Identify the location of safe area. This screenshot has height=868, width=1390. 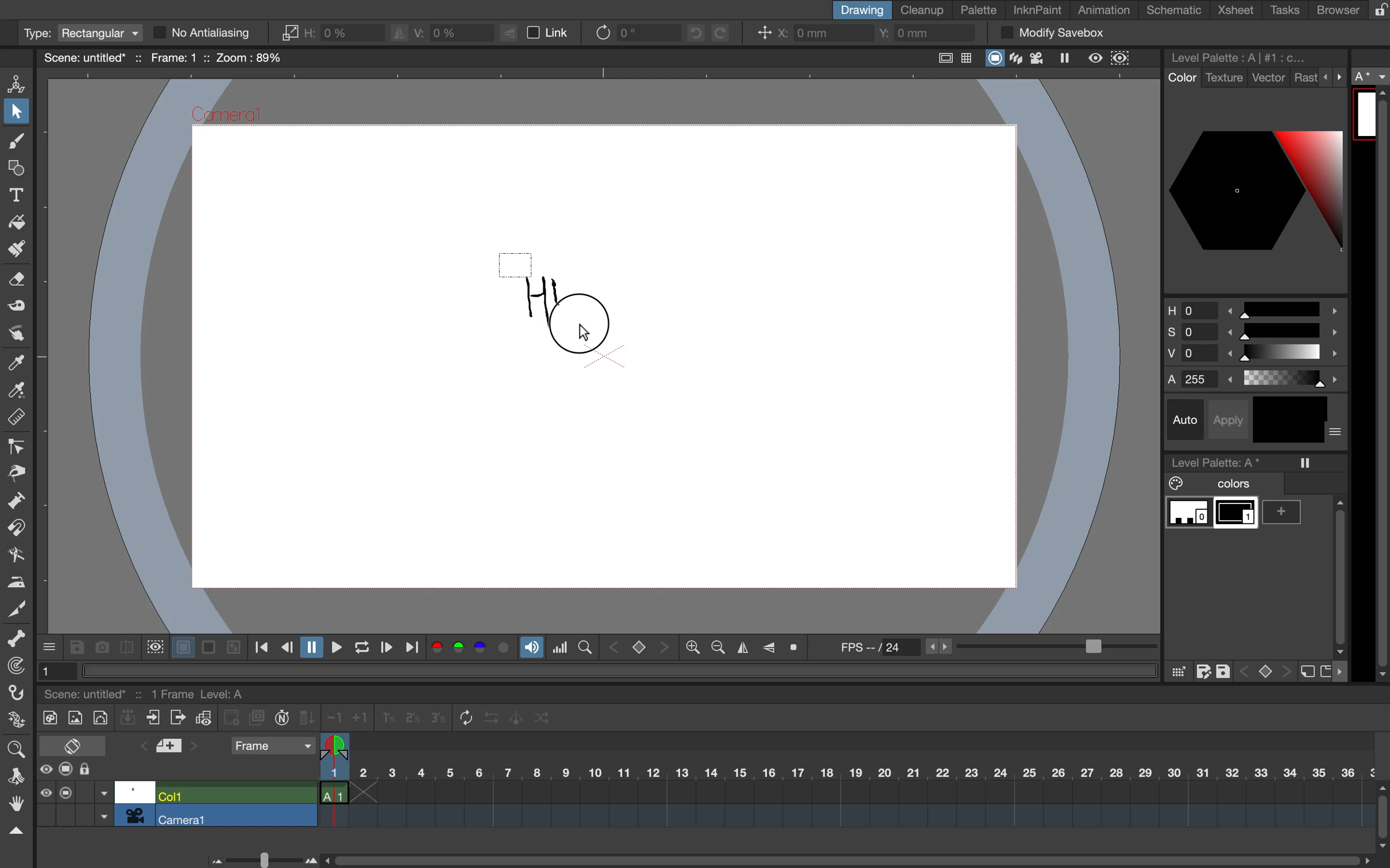
(942, 56).